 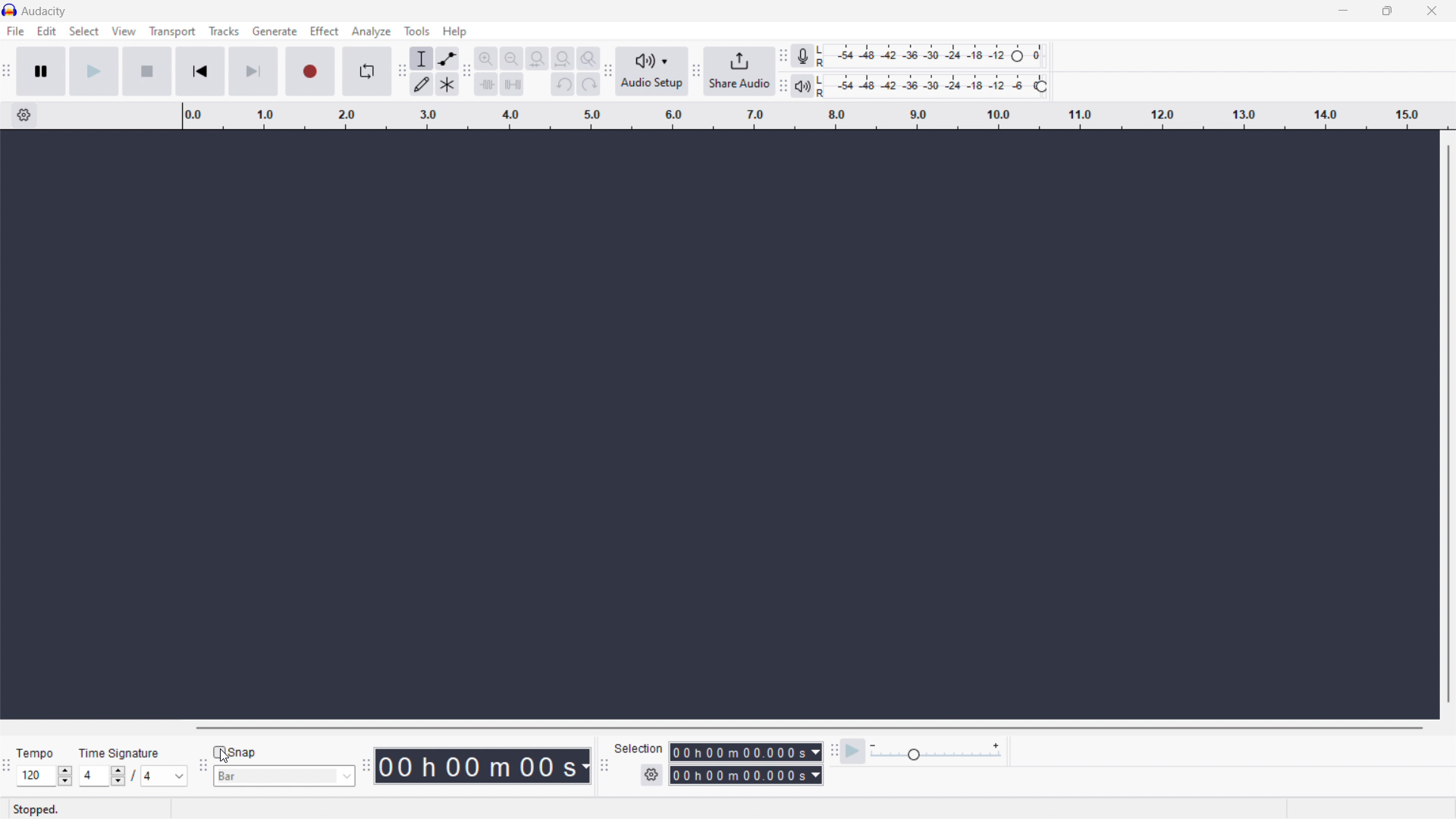 I want to click on help, so click(x=455, y=32).